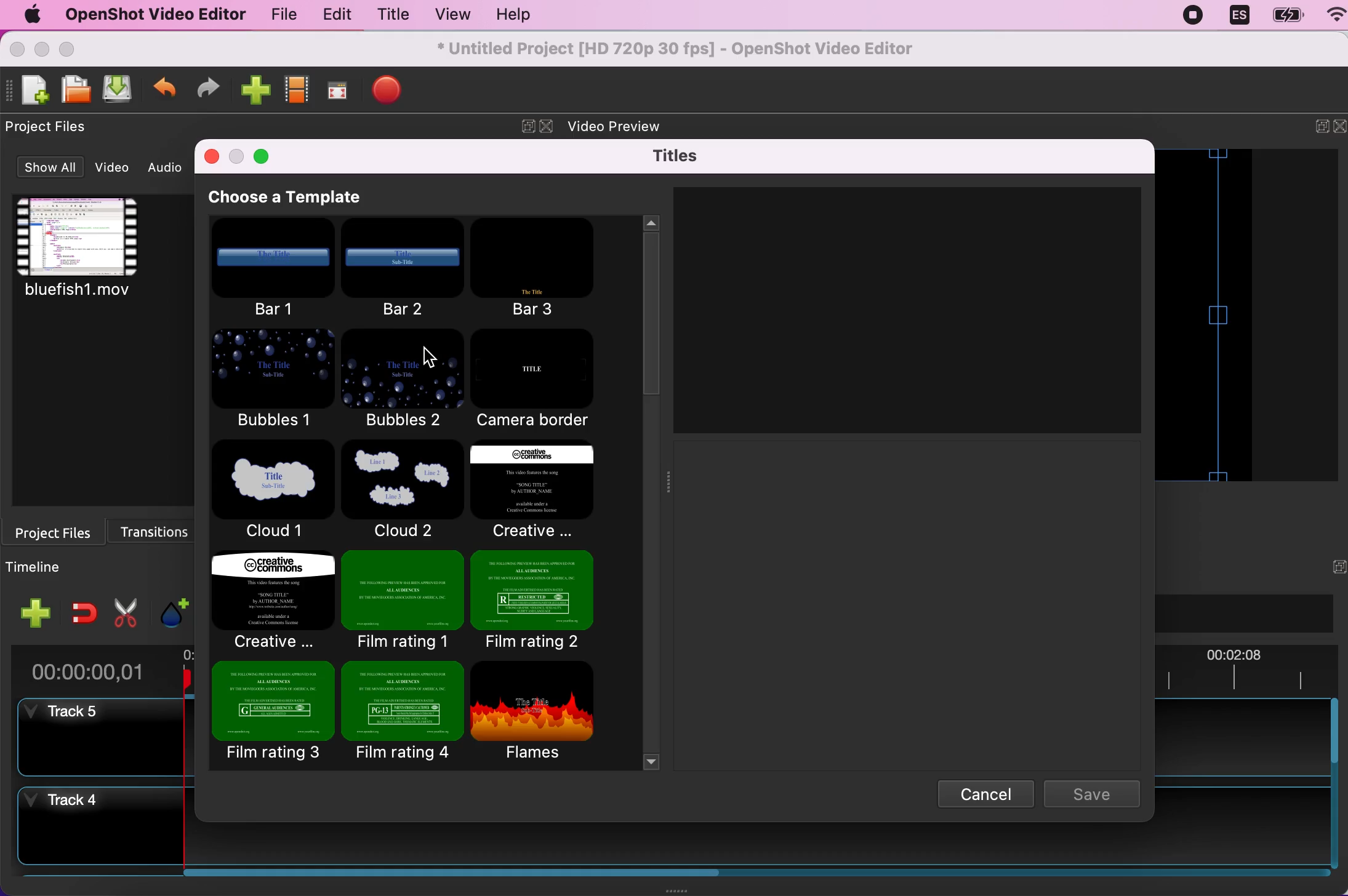 The image size is (1348, 896). I want to click on film rating 4, so click(403, 713).